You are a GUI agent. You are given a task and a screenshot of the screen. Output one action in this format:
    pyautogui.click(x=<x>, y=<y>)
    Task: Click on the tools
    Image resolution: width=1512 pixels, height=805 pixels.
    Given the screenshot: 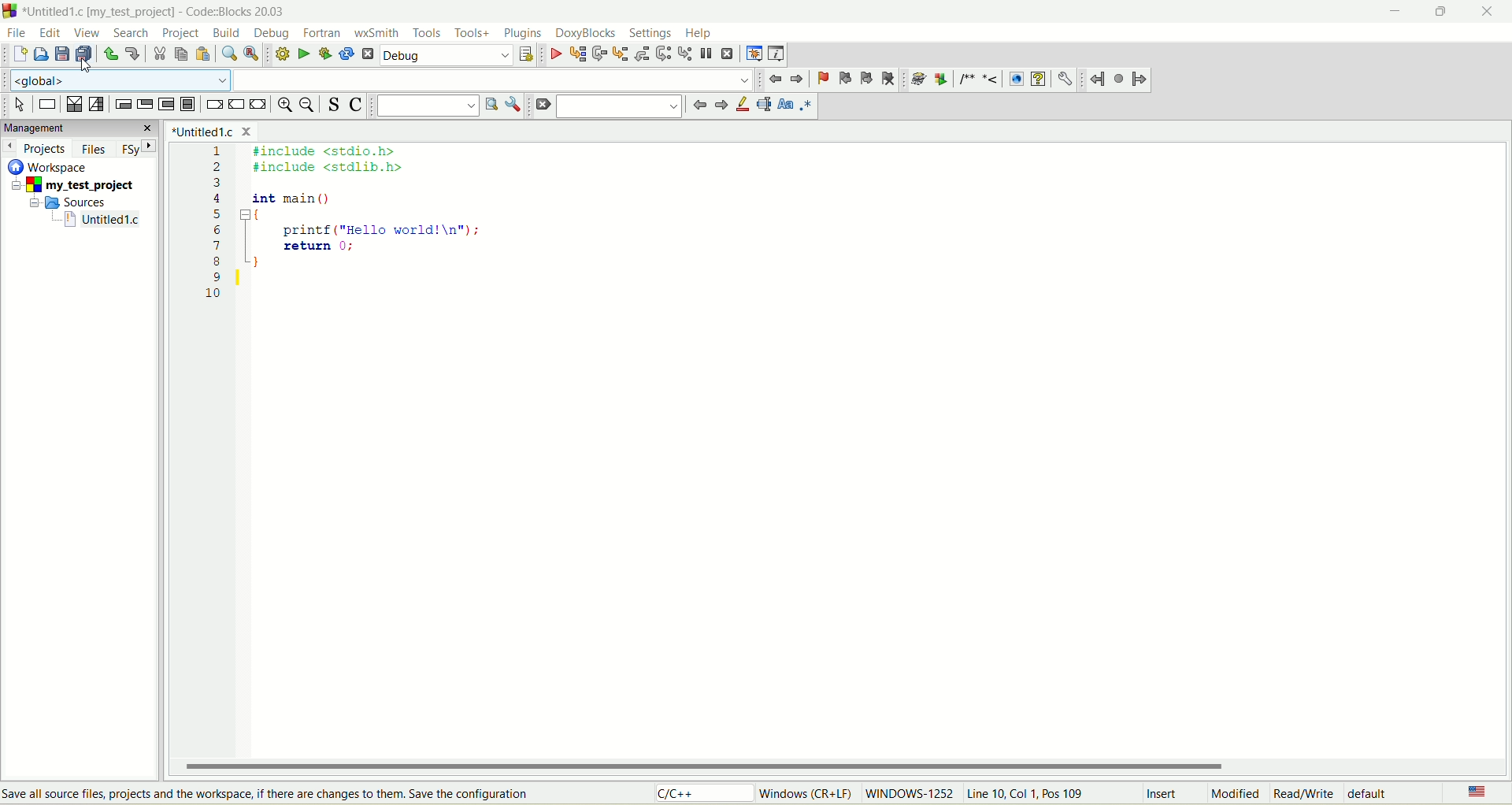 What is the action you would take?
    pyautogui.click(x=428, y=33)
    